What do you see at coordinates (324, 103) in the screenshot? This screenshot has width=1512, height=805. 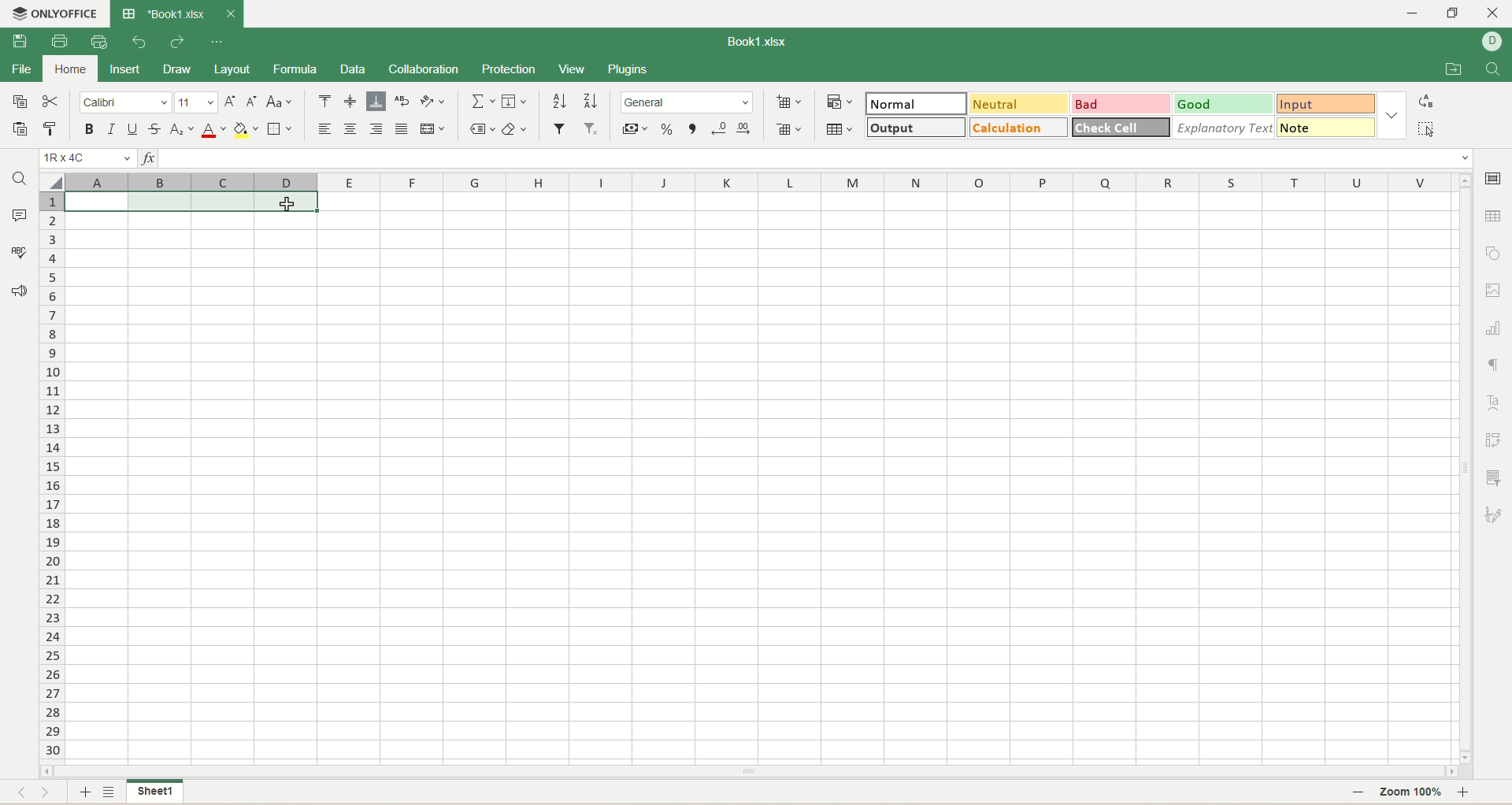 I see `align top` at bounding box center [324, 103].